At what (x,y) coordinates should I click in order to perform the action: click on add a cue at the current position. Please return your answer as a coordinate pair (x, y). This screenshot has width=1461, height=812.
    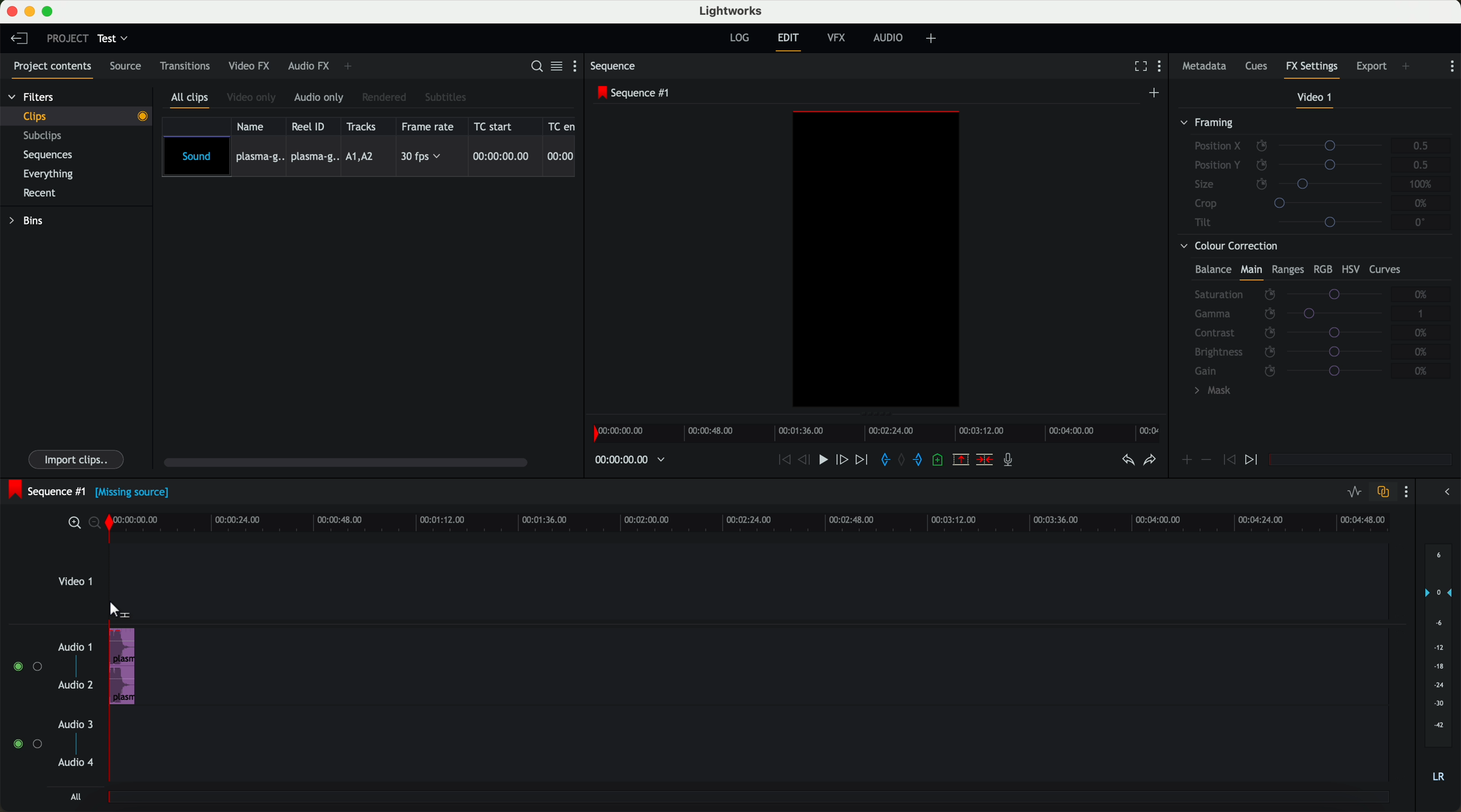
    Looking at the image, I should click on (941, 462).